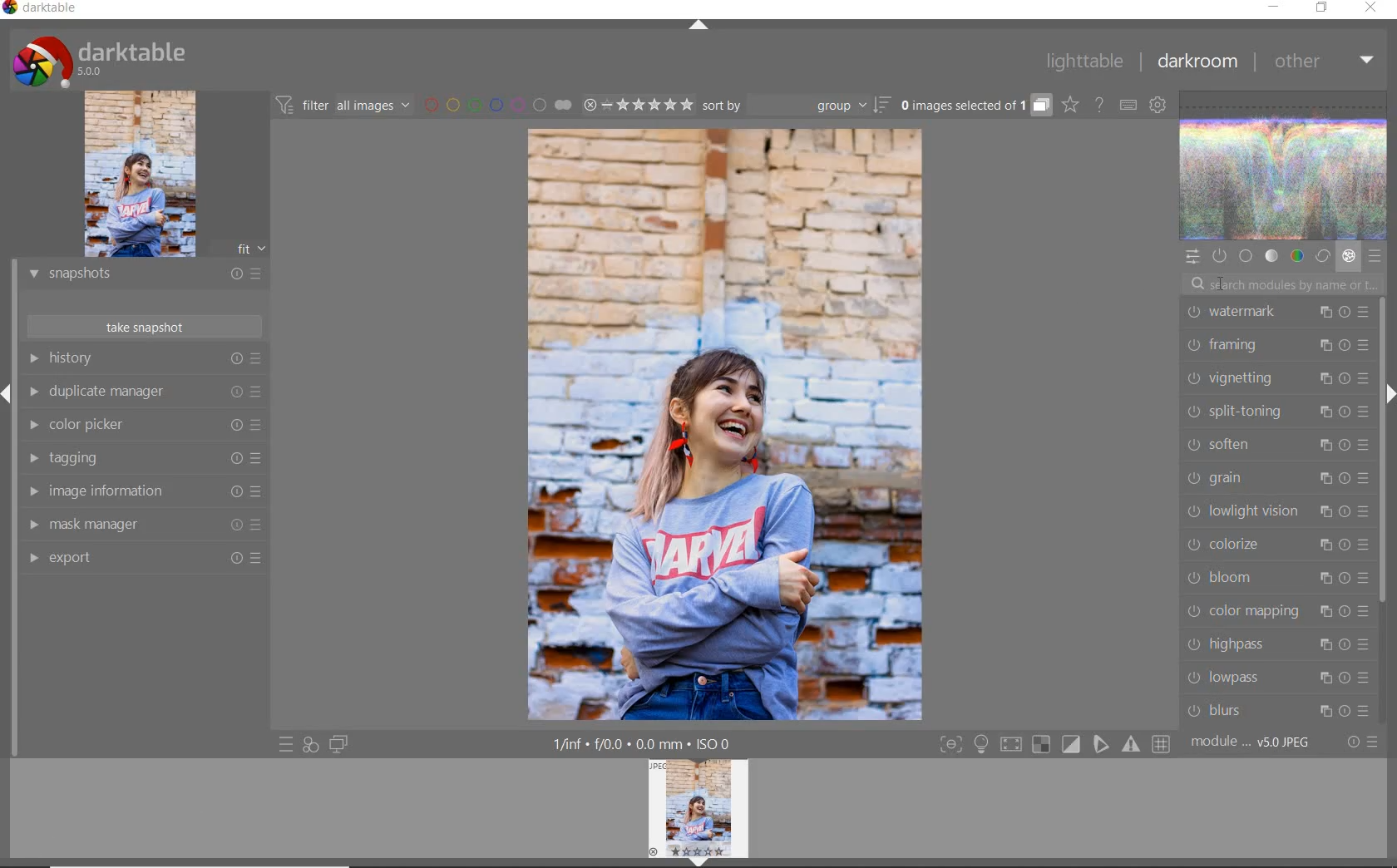 This screenshot has width=1397, height=868. What do you see at coordinates (1220, 257) in the screenshot?
I see `show only active modules` at bounding box center [1220, 257].